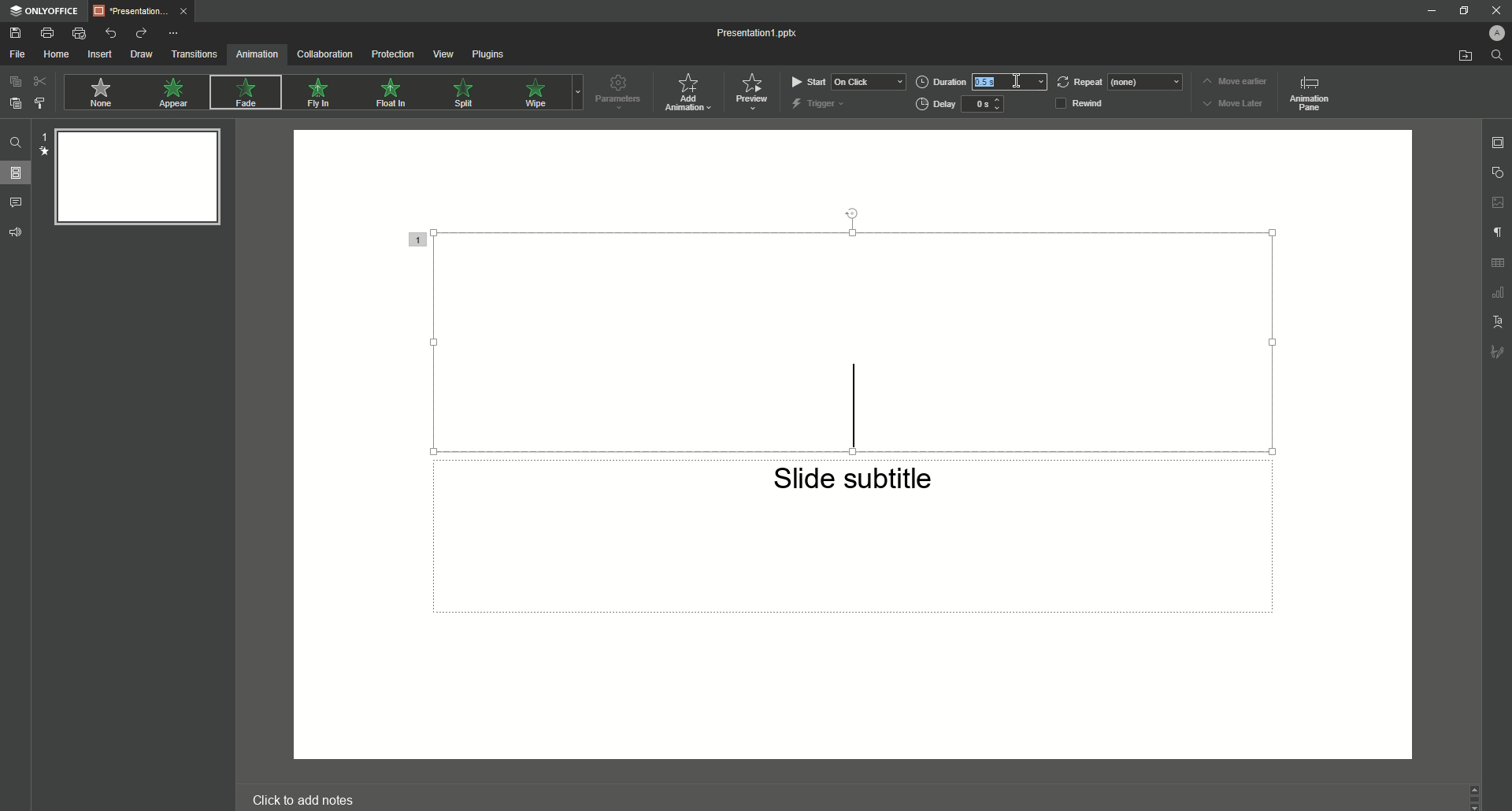 The height and width of the screenshot is (811, 1512). Describe the element at coordinates (1307, 92) in the screenshot. I see `Animation pane` at that location.